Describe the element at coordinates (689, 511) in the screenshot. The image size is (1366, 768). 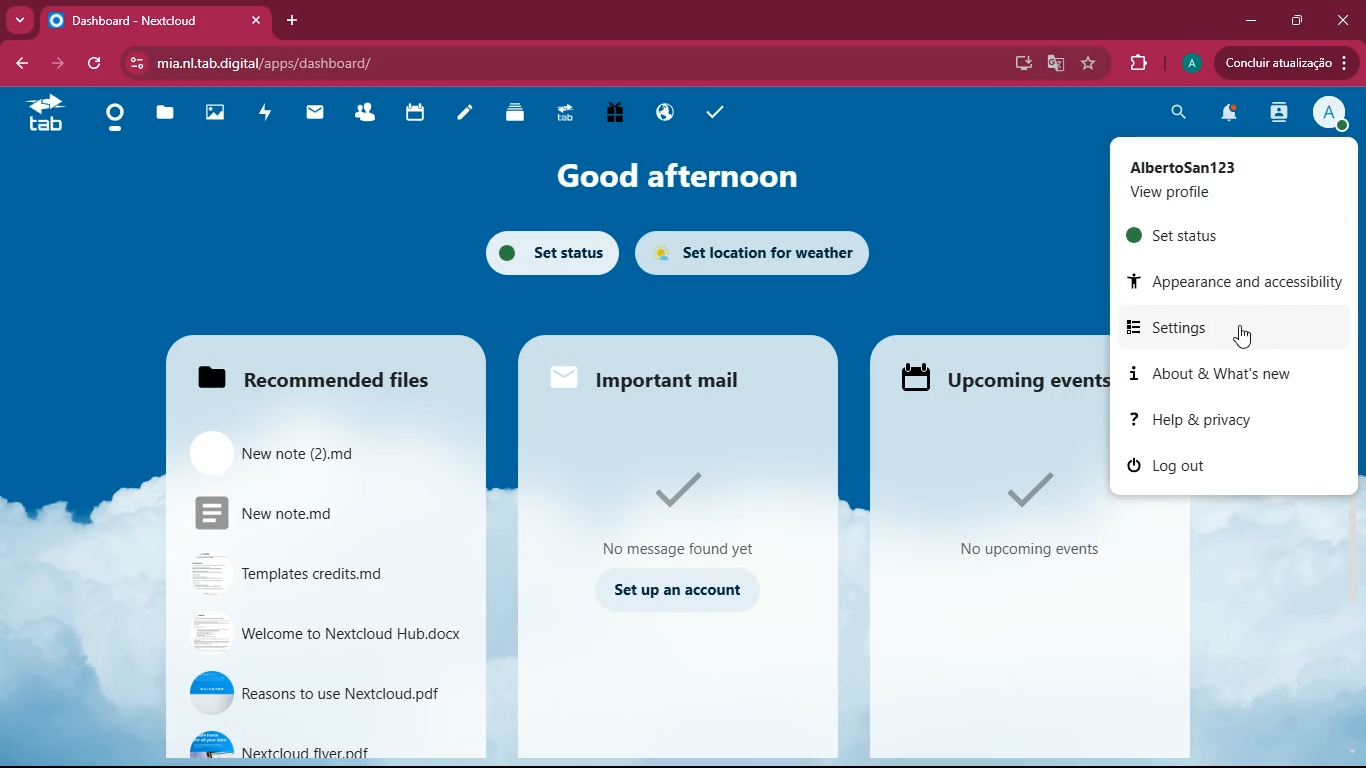
I see `message` at that location.